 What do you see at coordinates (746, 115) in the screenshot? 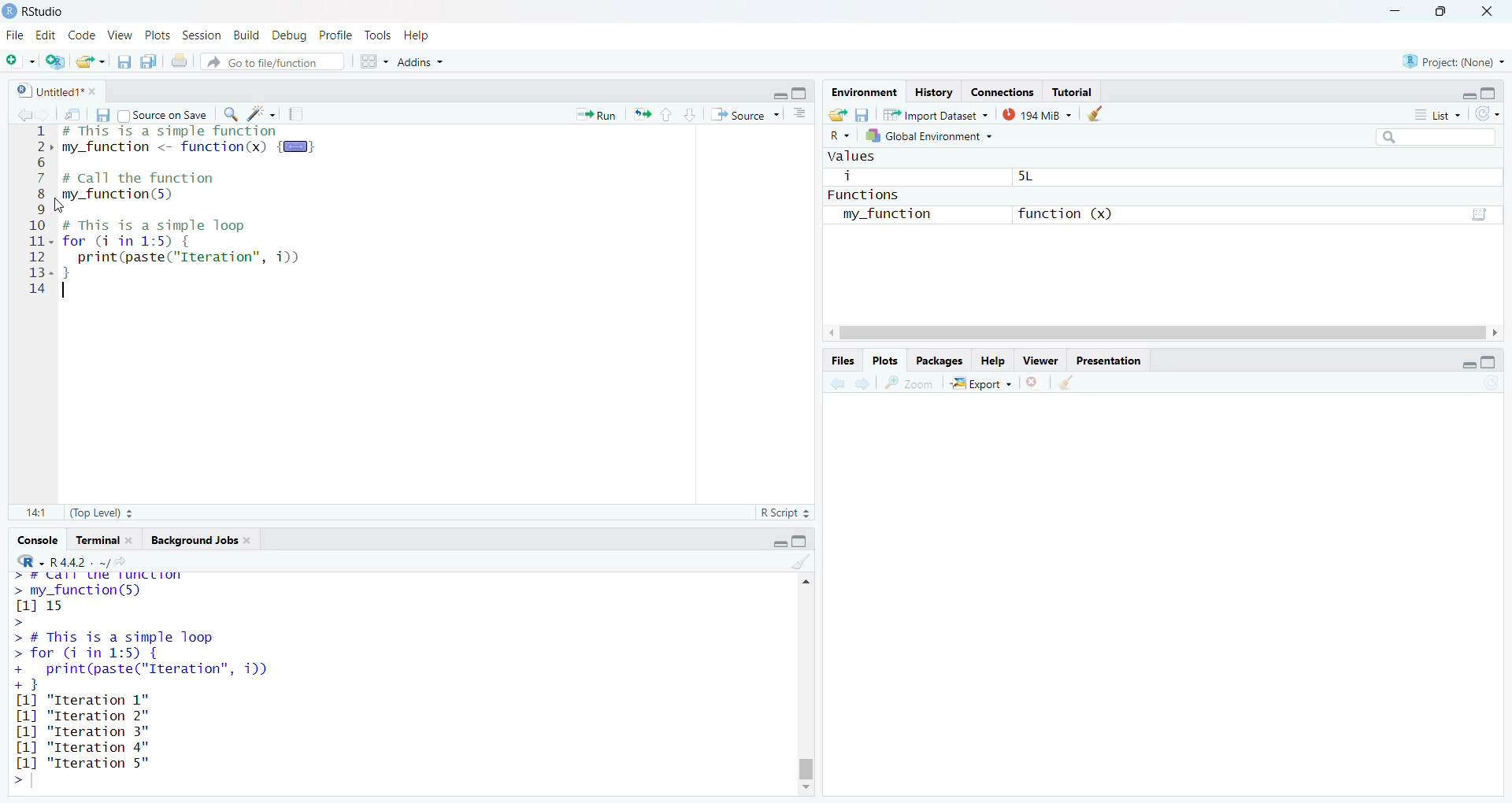
I see `source the contents of the document` at bounding box center [746, 115].